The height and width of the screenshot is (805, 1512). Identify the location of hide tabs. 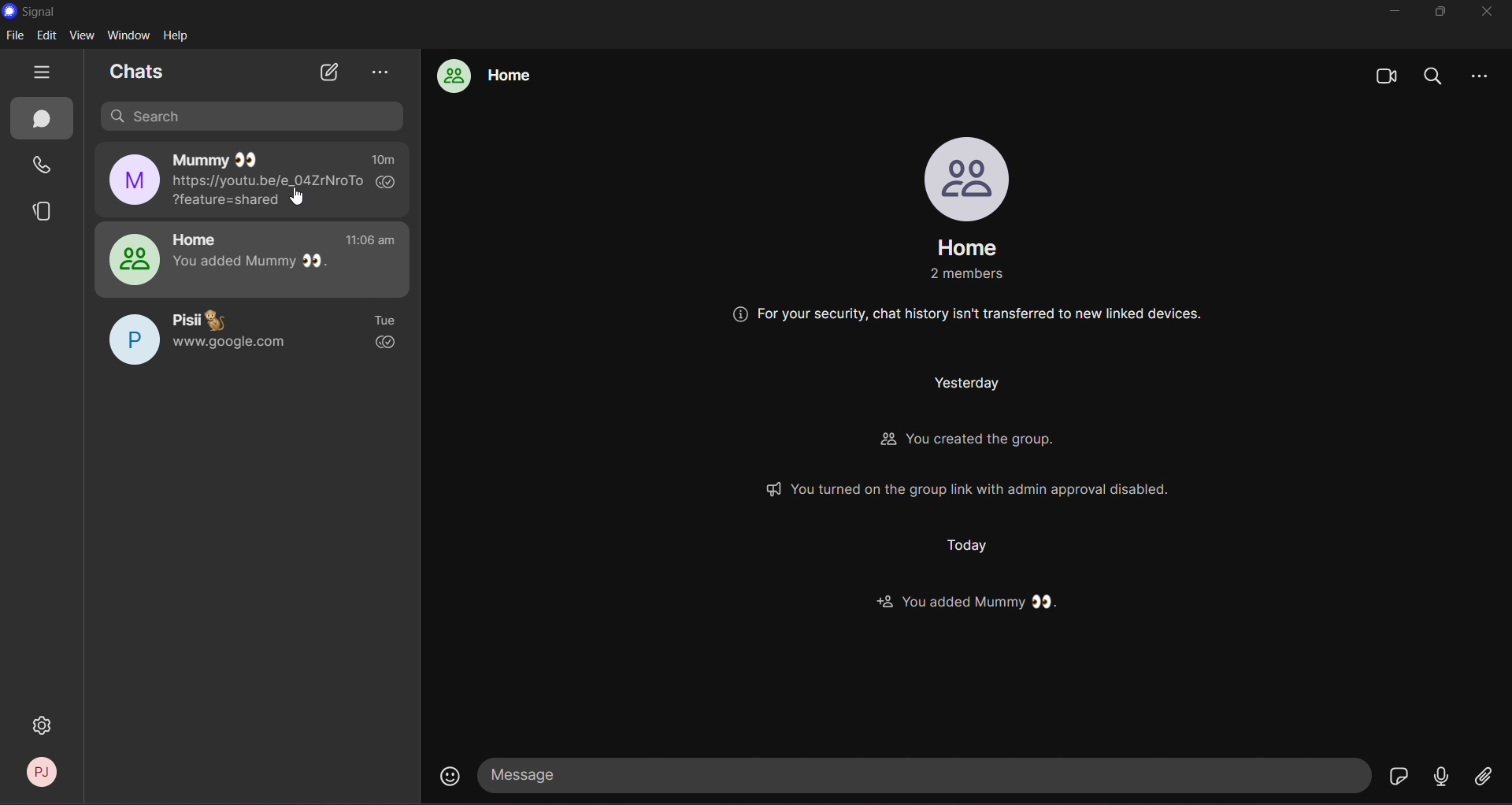
(43, 72).